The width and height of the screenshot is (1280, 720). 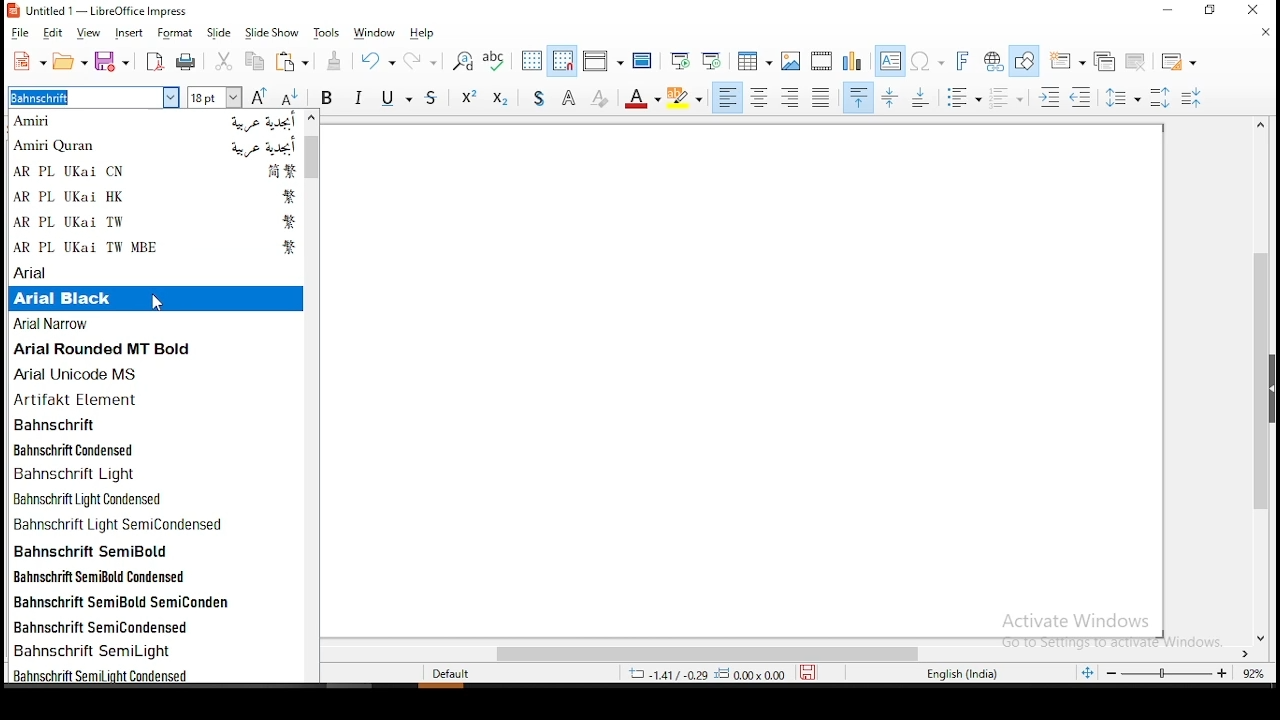 What do you see at coordinates (1067, 57) in the screenshot?
I see `new slide` at bounding box center [1067, 57].